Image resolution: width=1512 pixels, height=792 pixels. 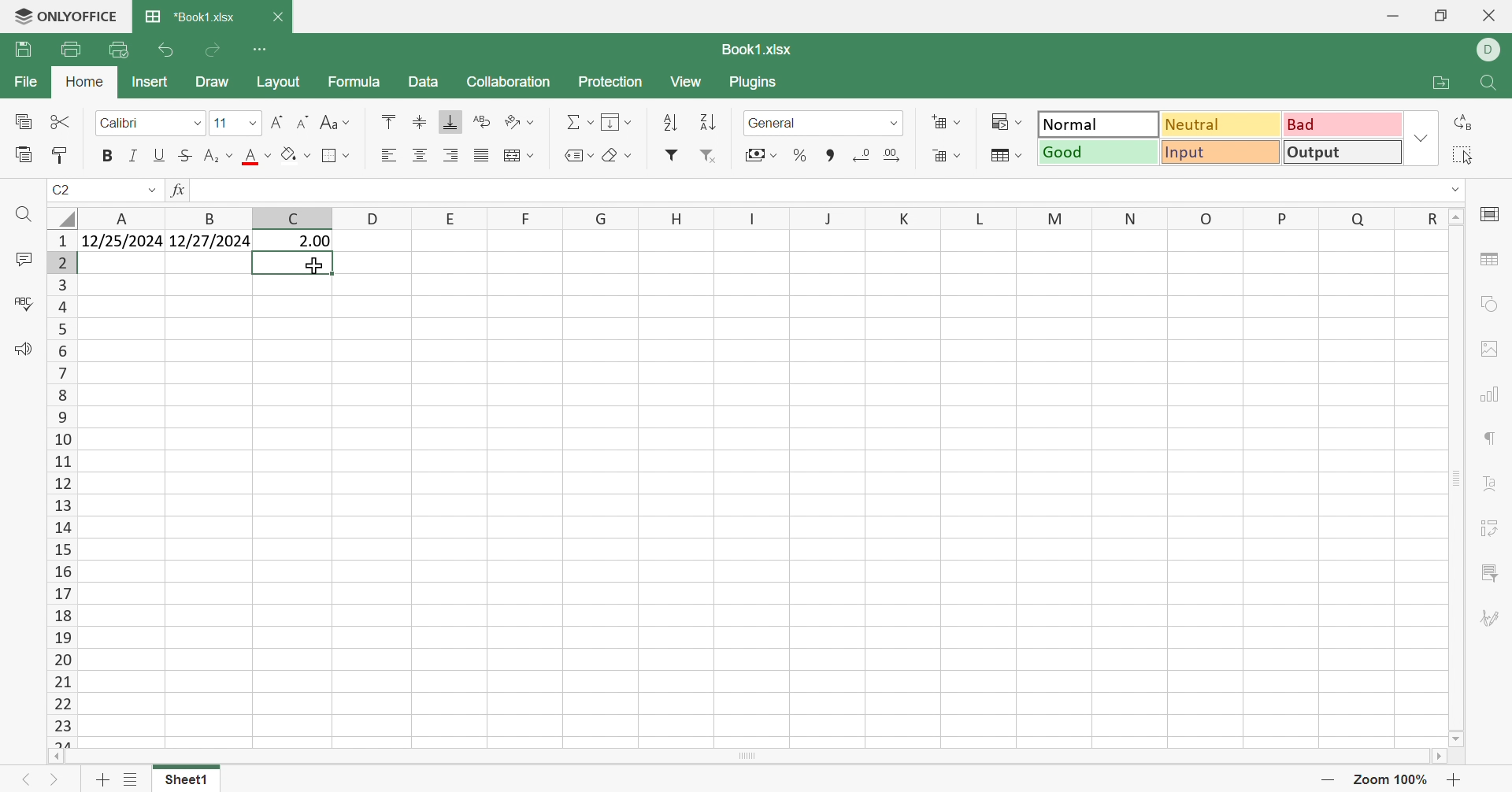 I want to click on Conditional formatting, so click(x=1007, y=121).